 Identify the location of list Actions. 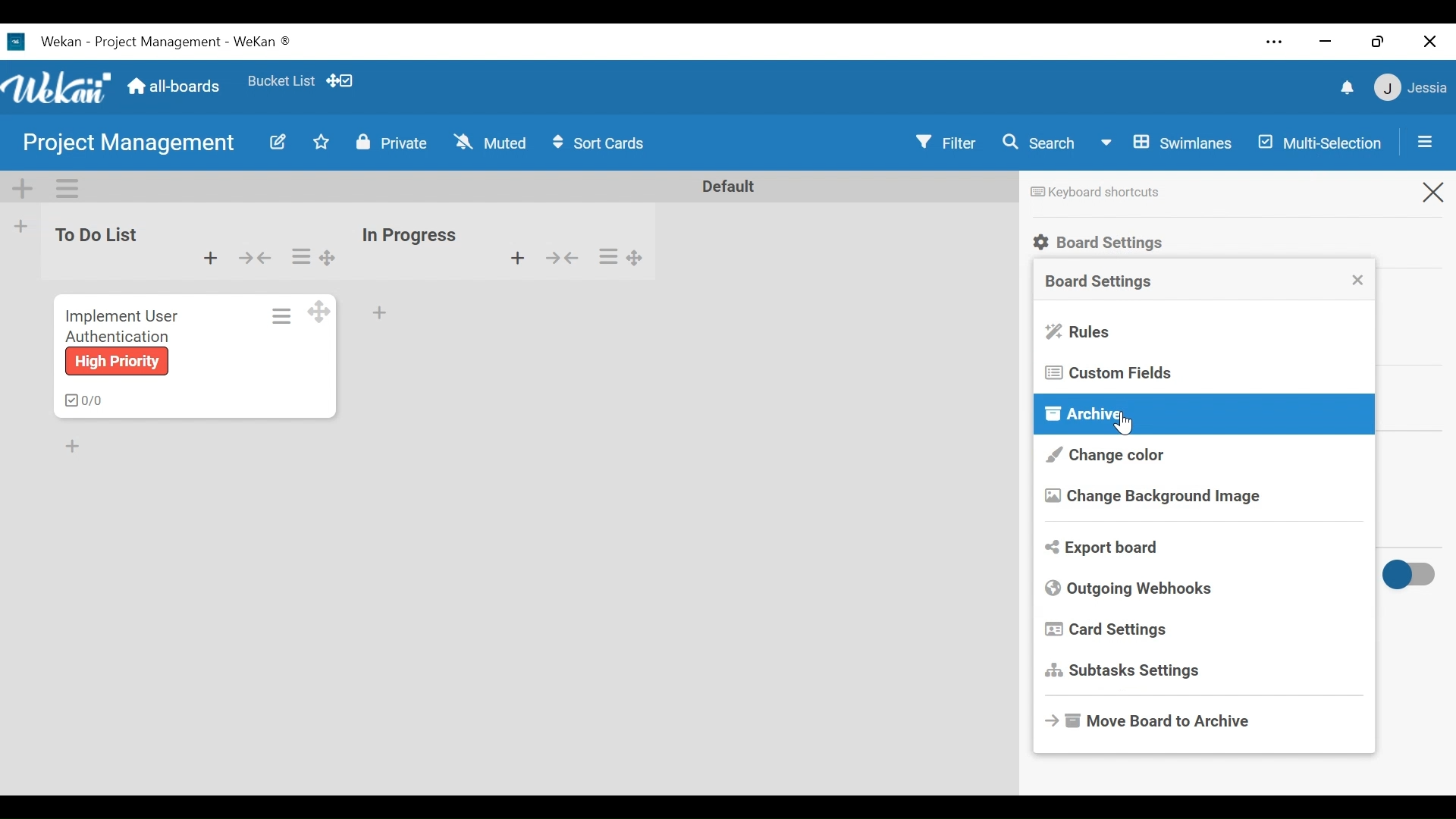
(609, 255).